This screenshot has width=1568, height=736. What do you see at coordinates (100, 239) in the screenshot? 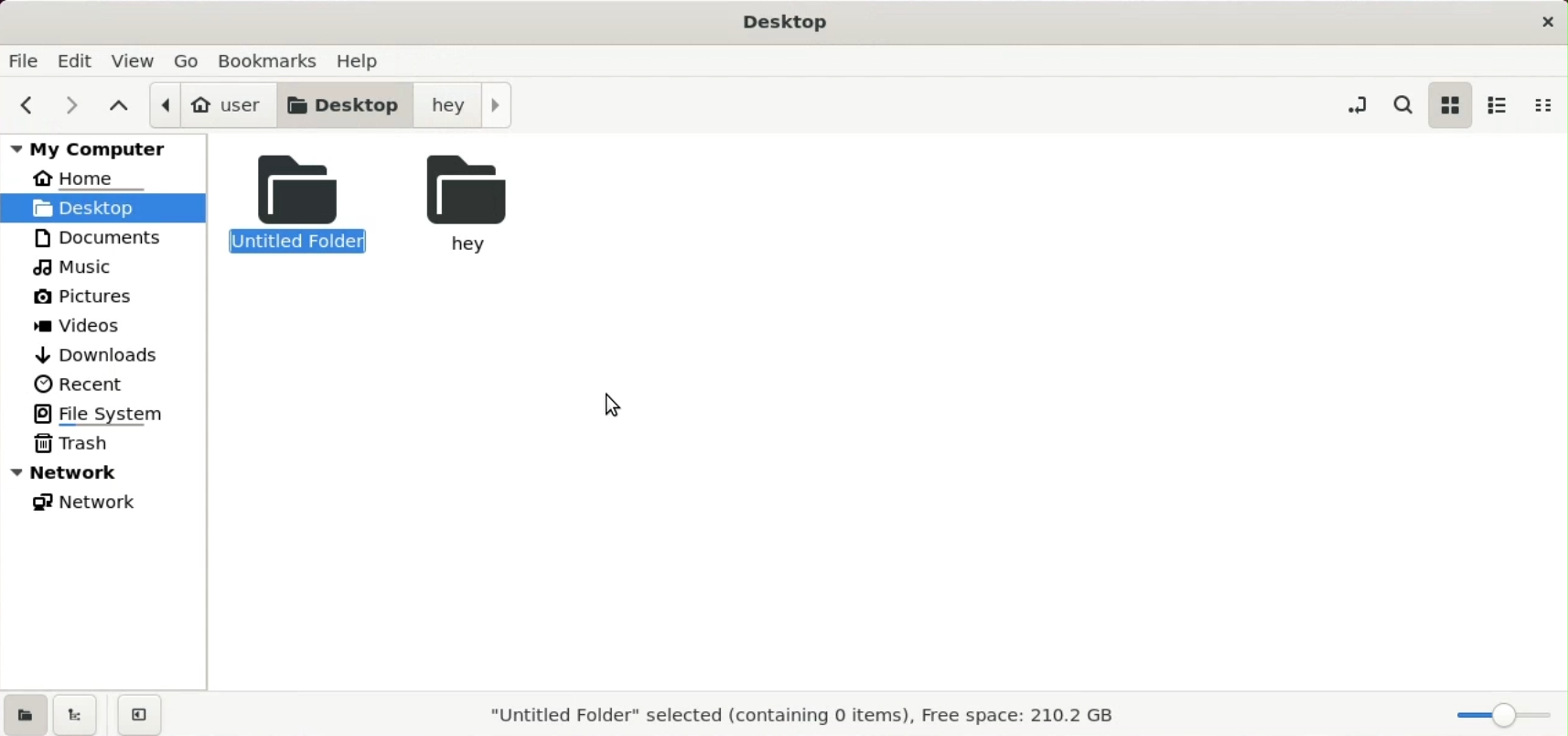
I see `documents` at bounding box center [100, 239].